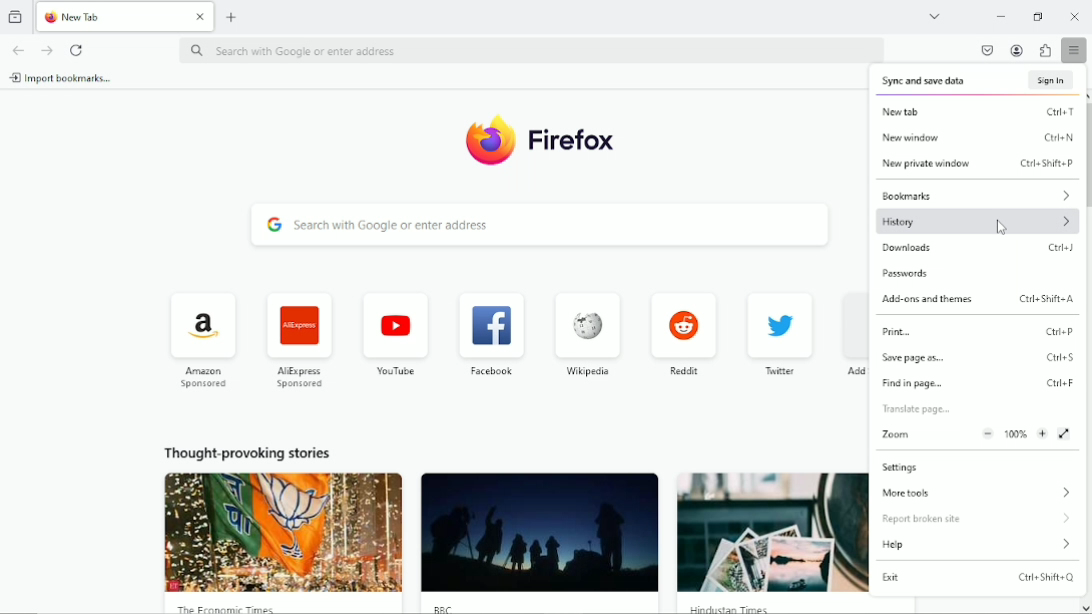 The image size is (1092, 614). Describe the element at coordinates (1073, 15) in the screenshot. I see `Close` at that location.